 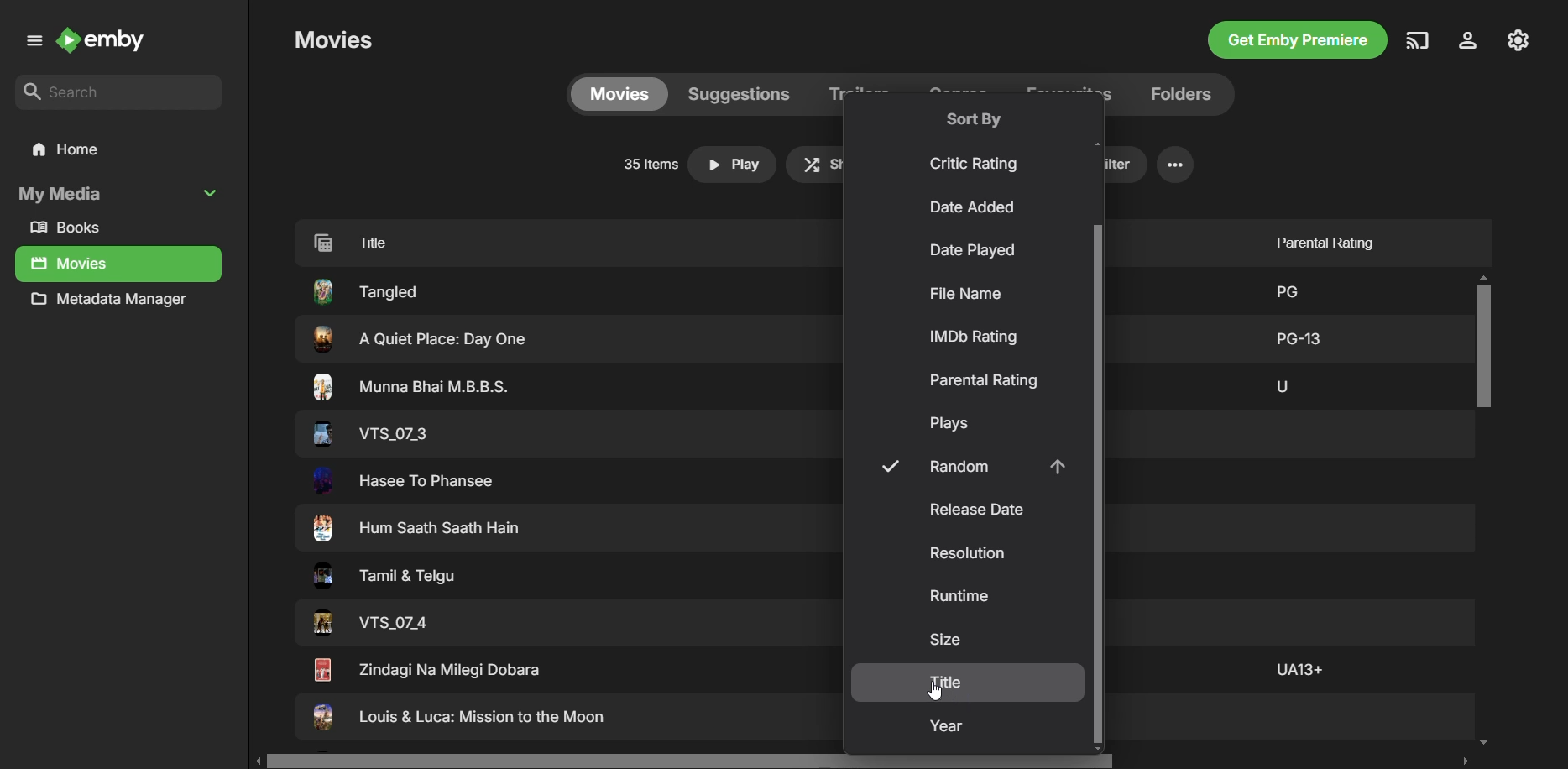 What do you see at coordinates (1299, 336) in the screenshot?
I see `` at bounding box center [1299, 336].